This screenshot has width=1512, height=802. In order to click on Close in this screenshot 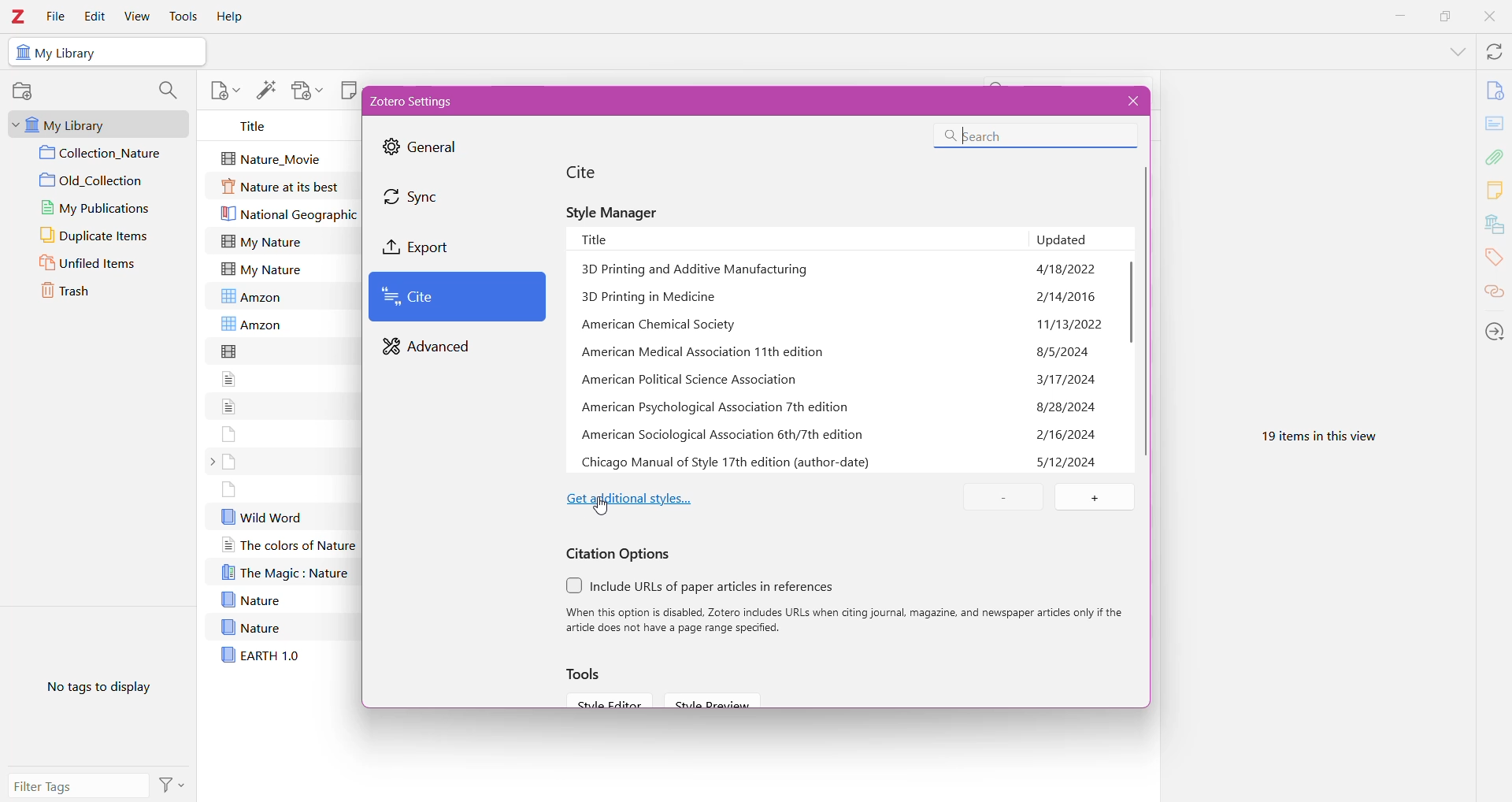, I will do `click(1488, 18)`.